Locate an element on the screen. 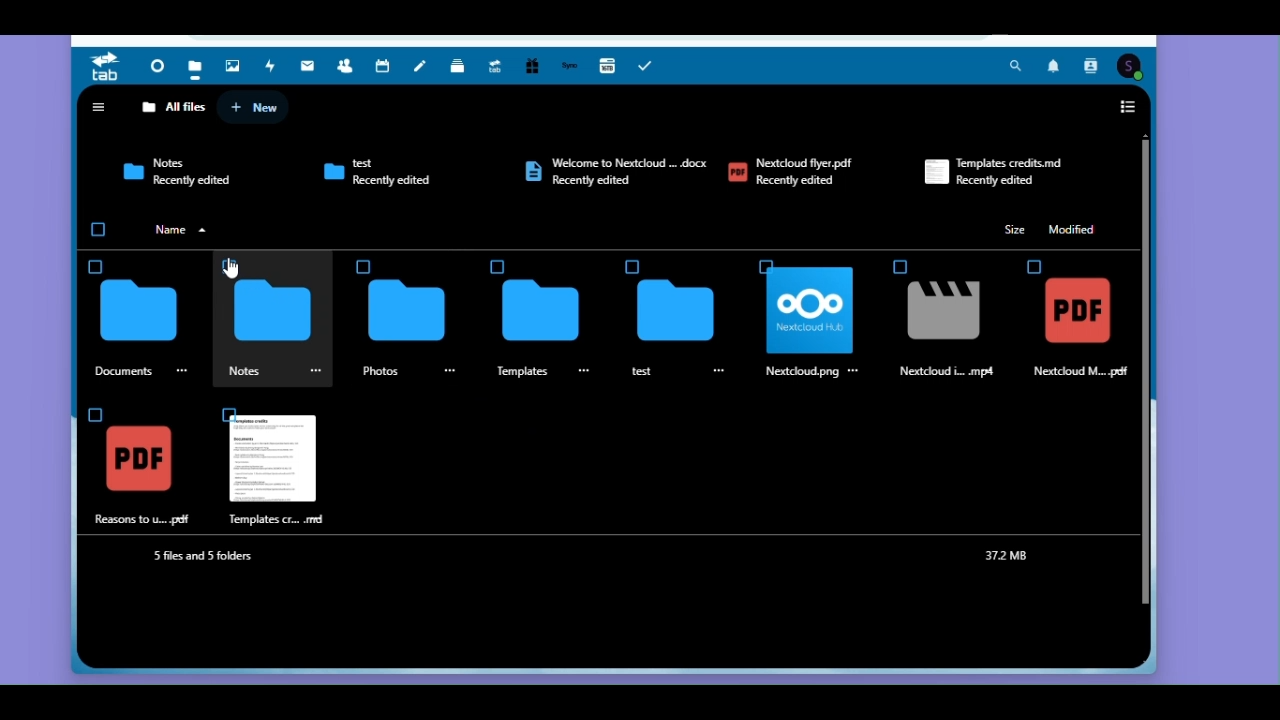 This screenshot has height=720, width=1280. Ellipsis is located at coordinates (721, 371).